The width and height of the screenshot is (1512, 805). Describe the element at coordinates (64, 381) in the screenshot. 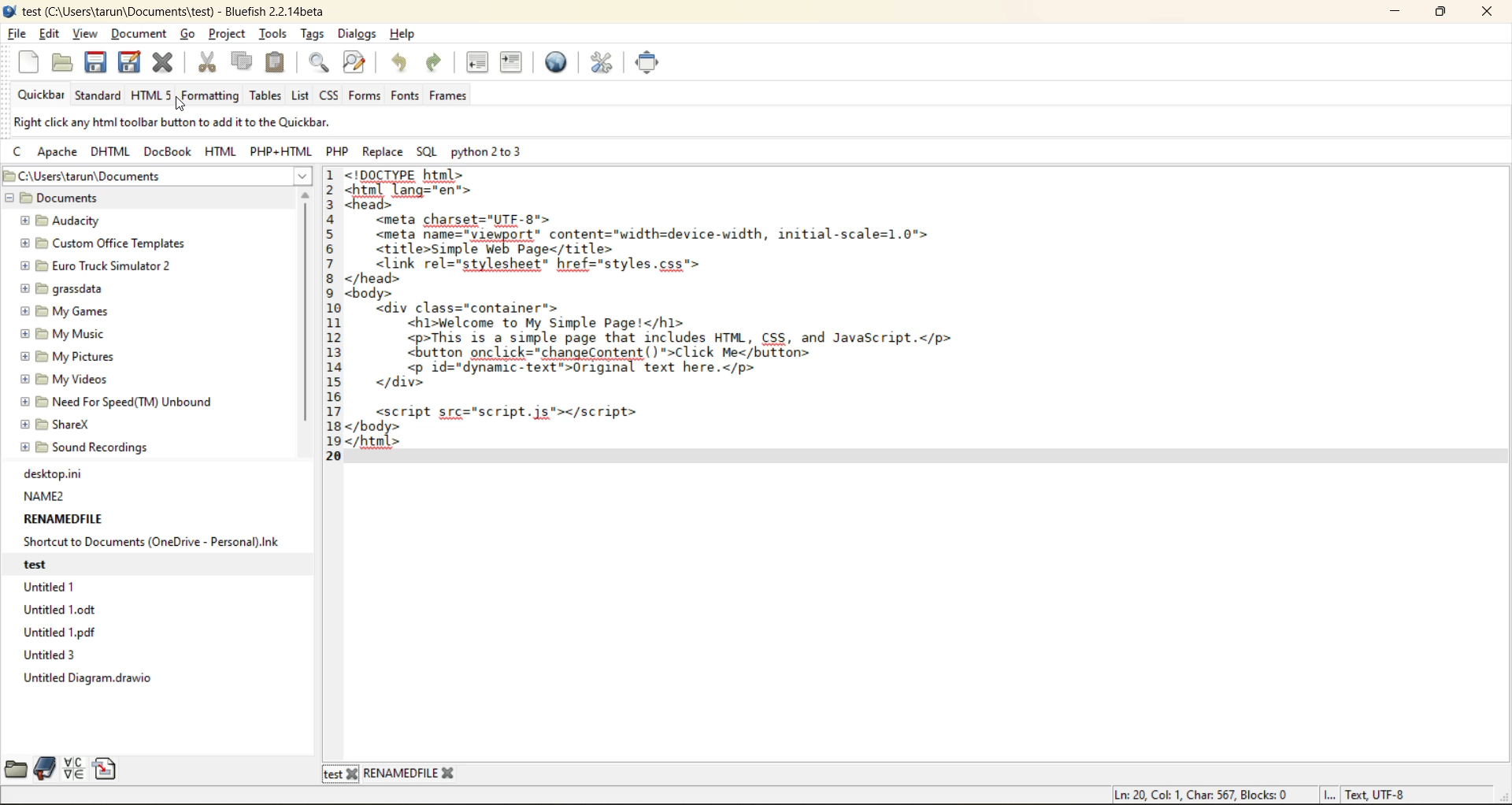

I see `® 3 My Videos` at that location.